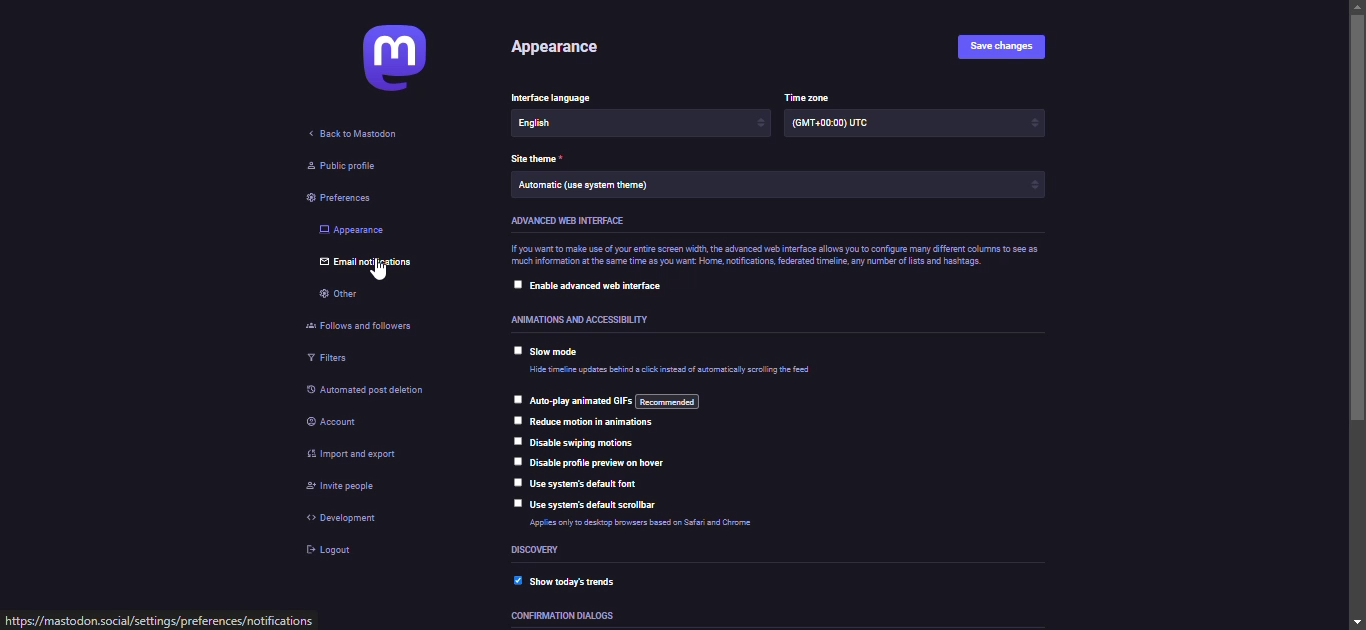 The height and width of the screenshot is (630, 1366). What do you see at coordinates (153, 621) in the screenshot?
I see `website` at bounding box center [153, 621].